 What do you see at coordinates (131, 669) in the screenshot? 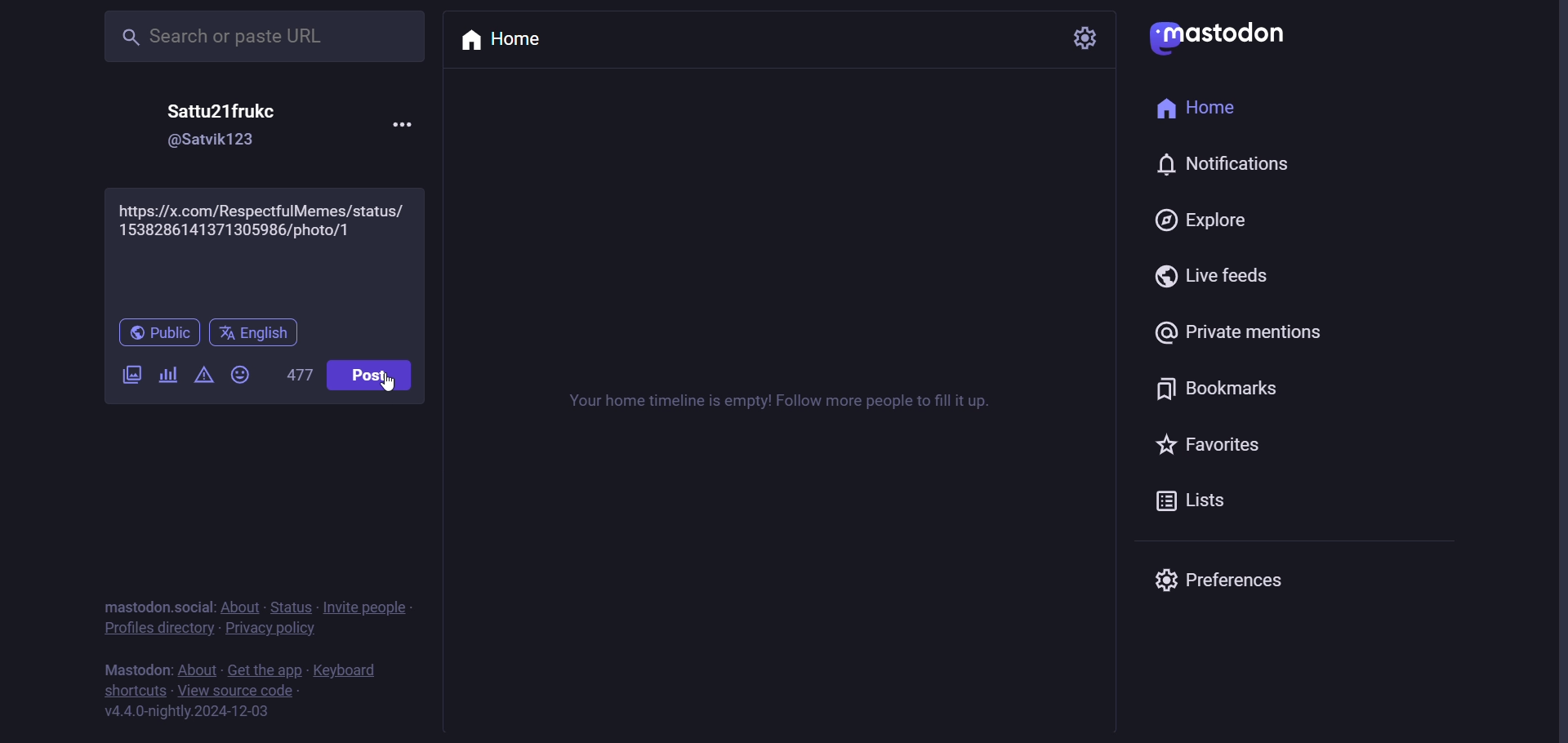
I see `mastodon` at bounding box center [131, 669].